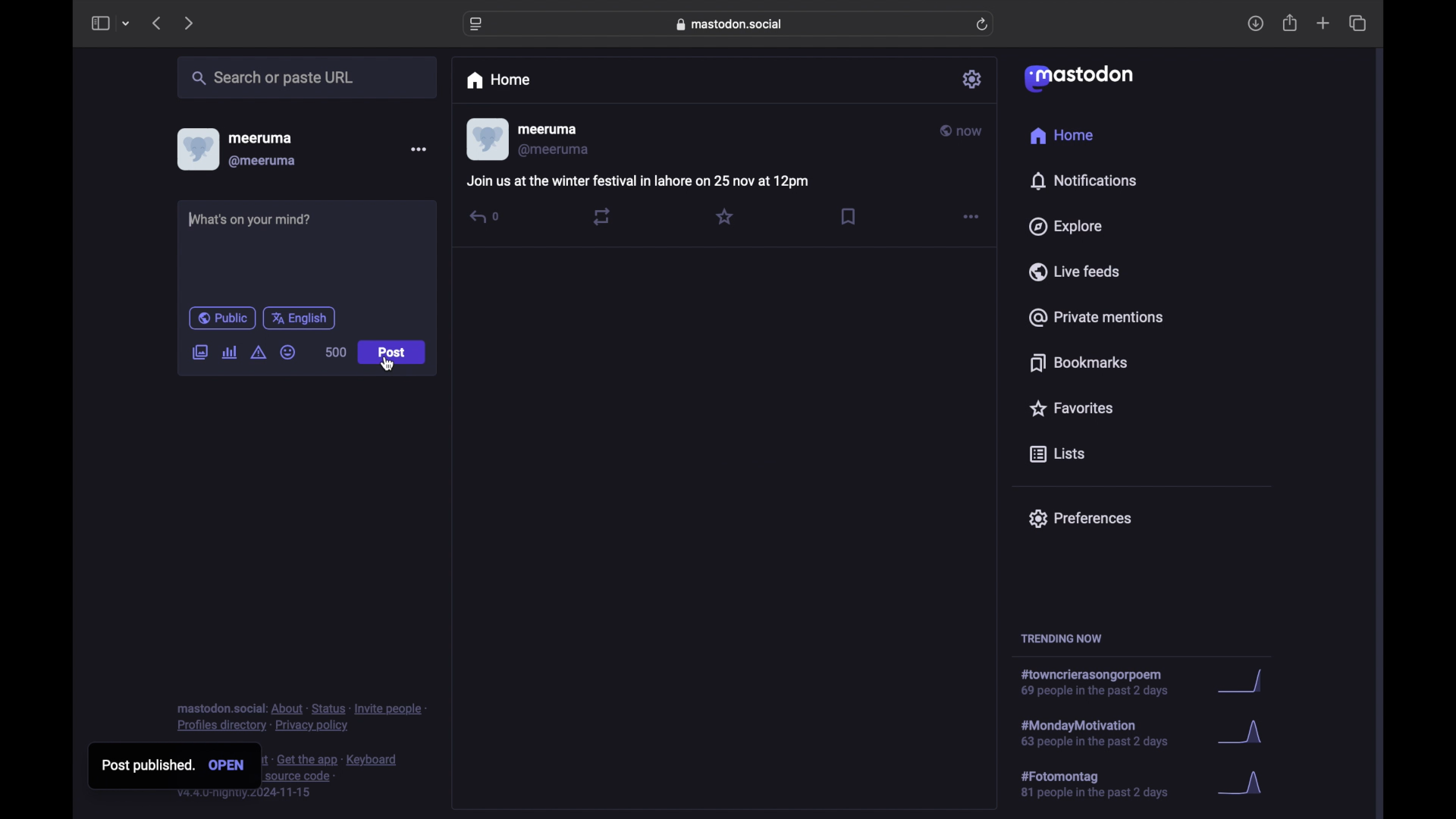 This screenshot has height=819, width=1456. What do you see at coordinates (393, 353) in the screenshot?
I see `Post` at bounding box center [393, 353].